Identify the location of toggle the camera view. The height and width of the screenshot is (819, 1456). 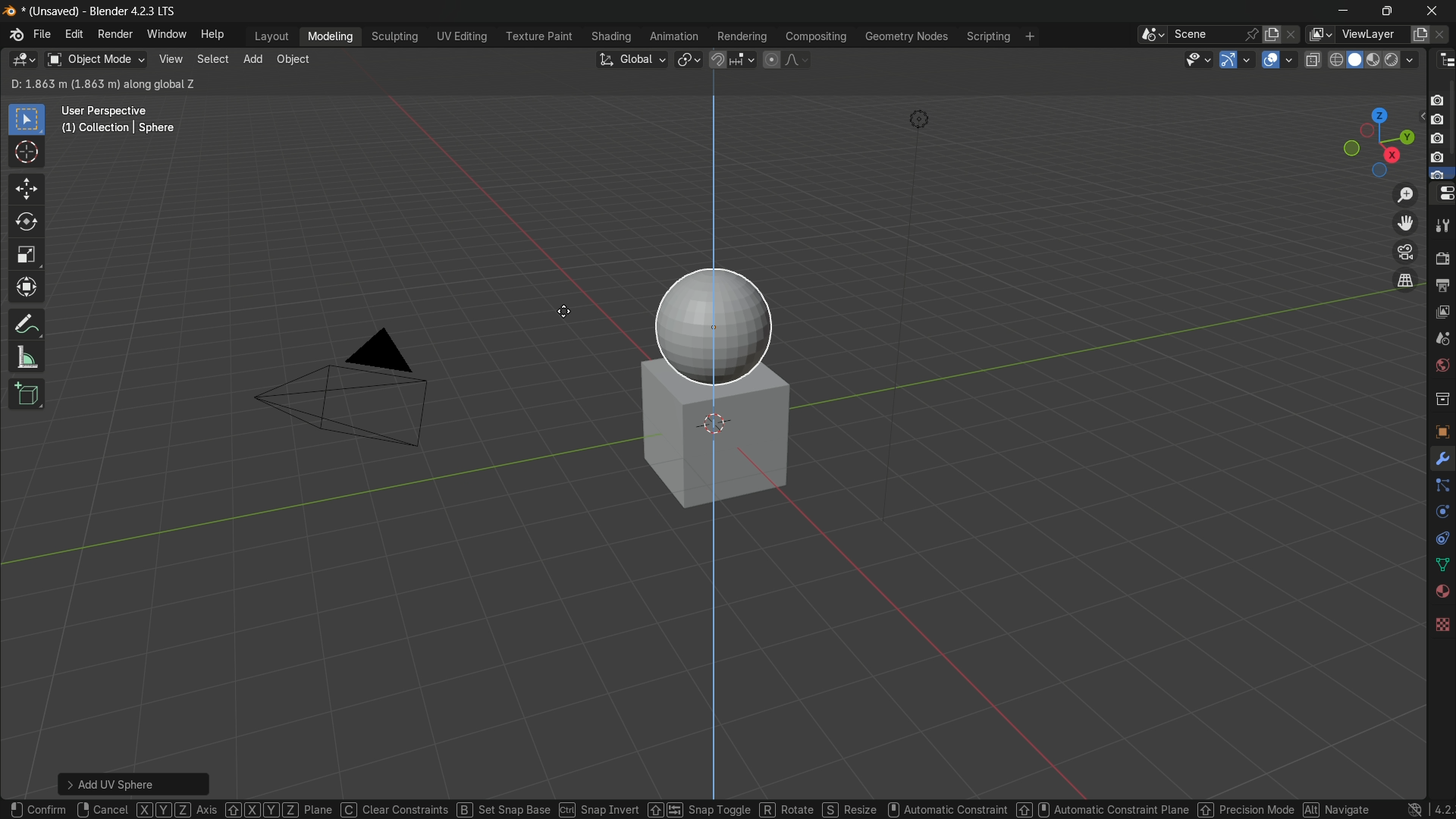
(1405, 252).